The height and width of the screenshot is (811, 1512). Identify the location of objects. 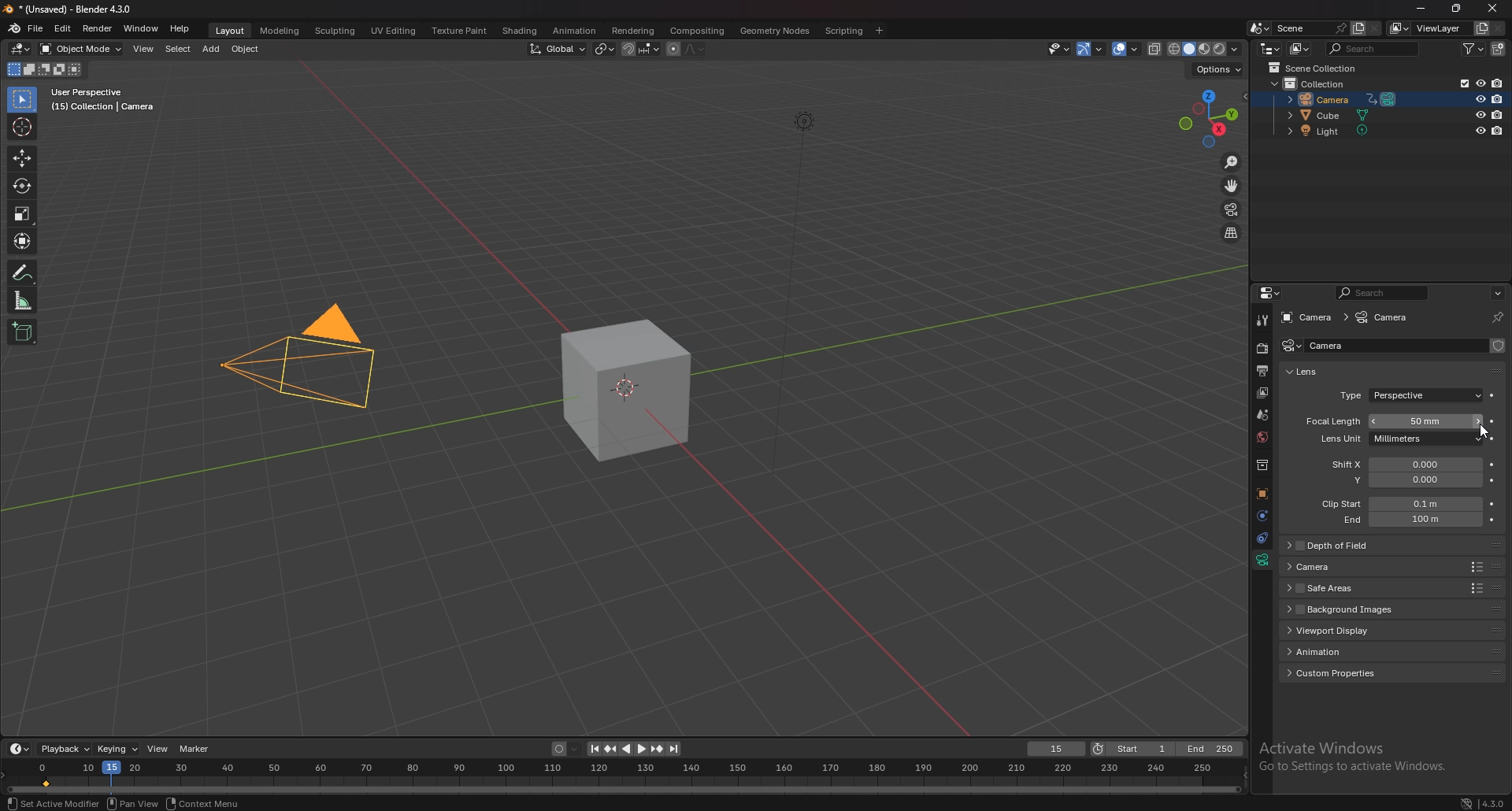
(1262, 494).